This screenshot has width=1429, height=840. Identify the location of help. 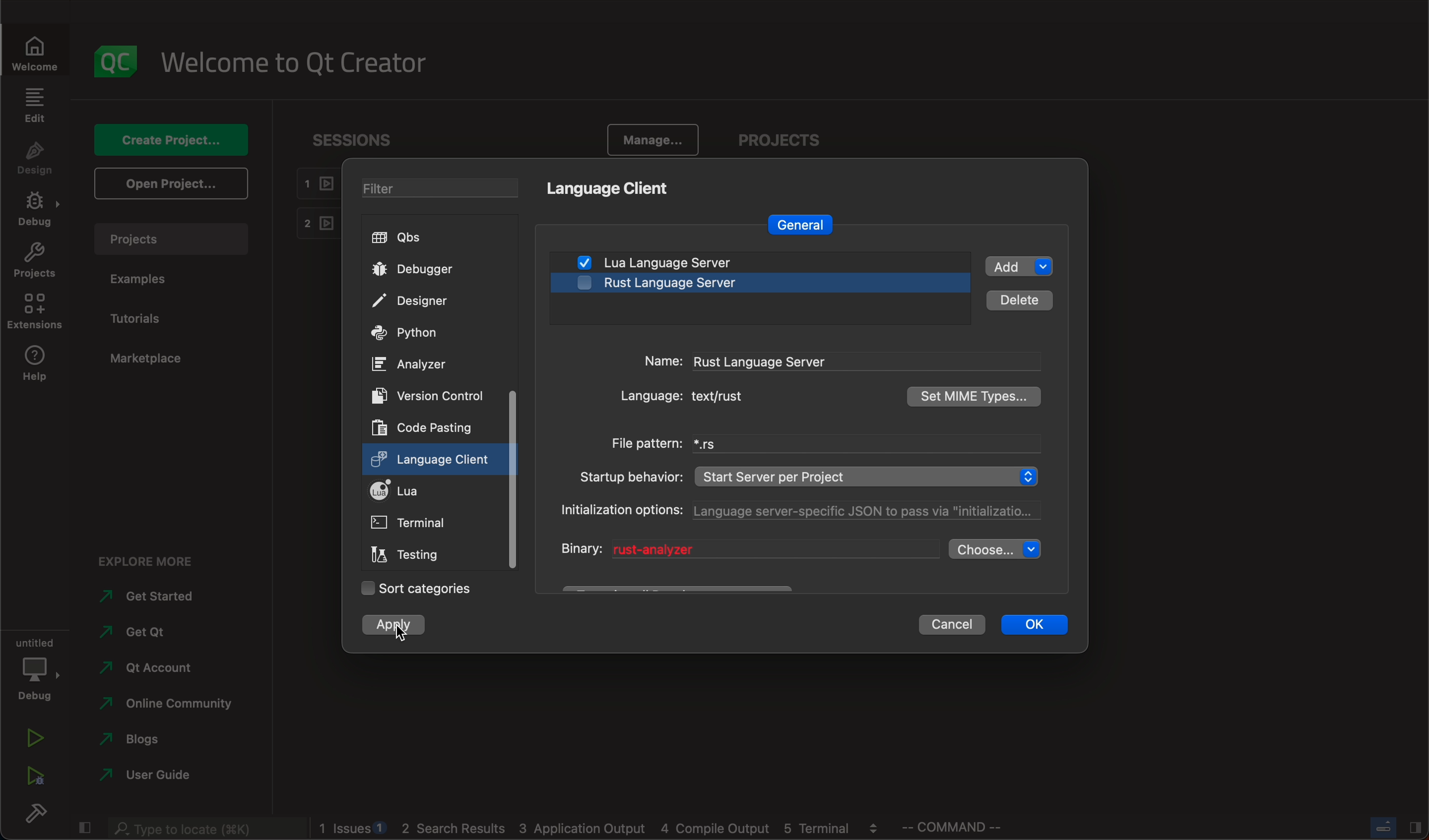
(36, 366).